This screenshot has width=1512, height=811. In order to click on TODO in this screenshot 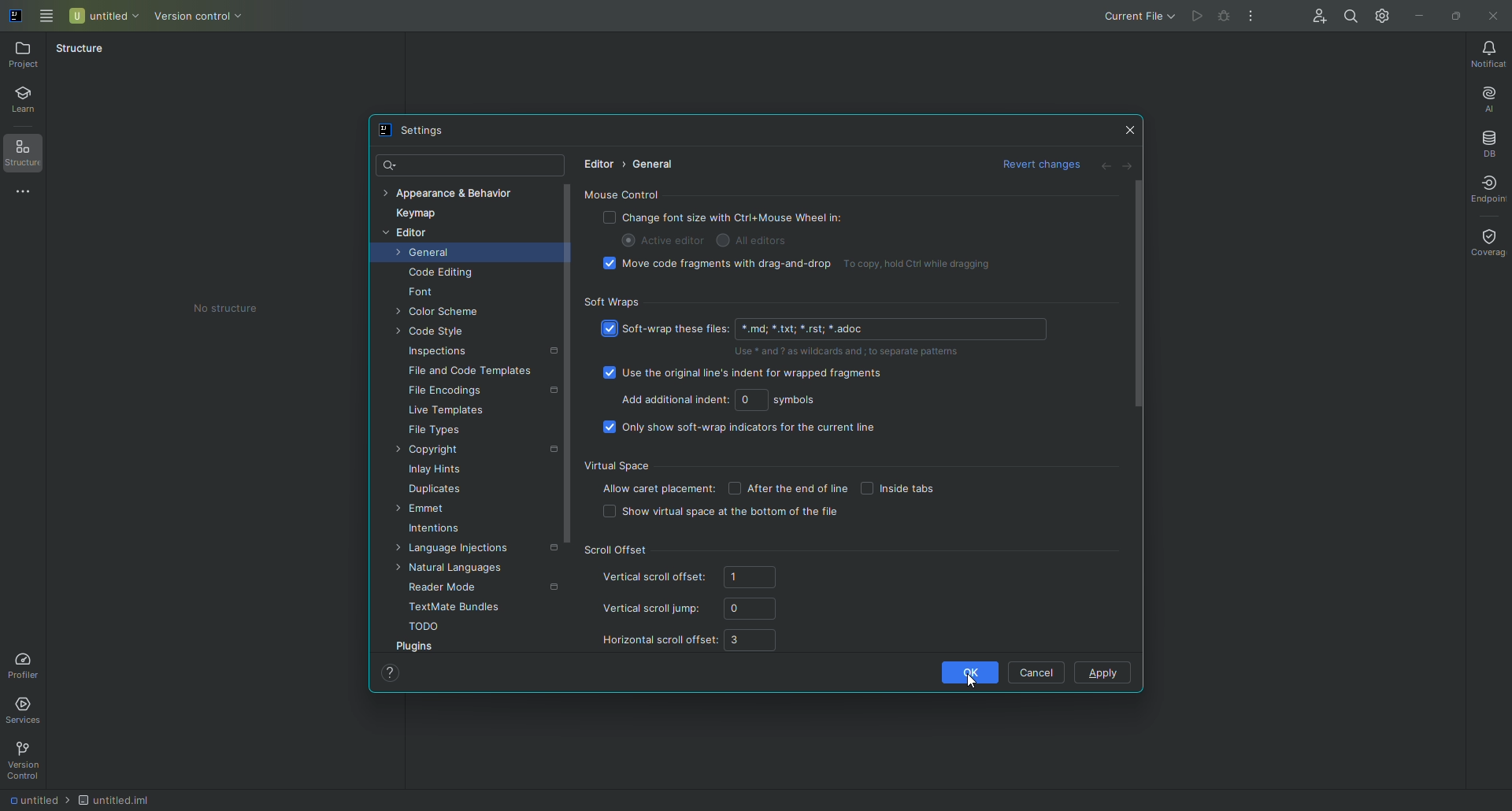, I will do `click(425, 626)`.